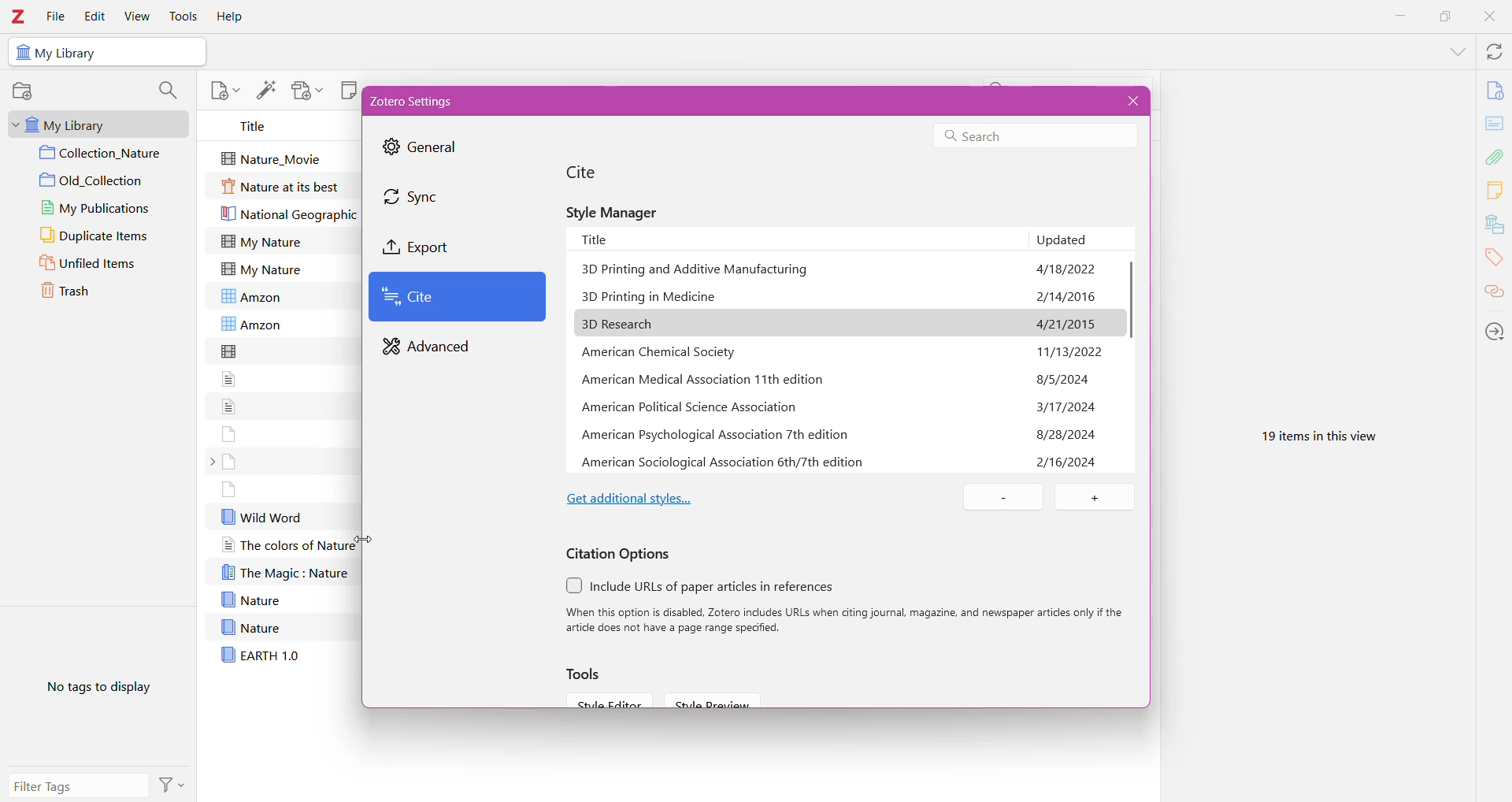  Describe the element at coordinates (799, 238) in the screenshot. I see `Title` at that location.